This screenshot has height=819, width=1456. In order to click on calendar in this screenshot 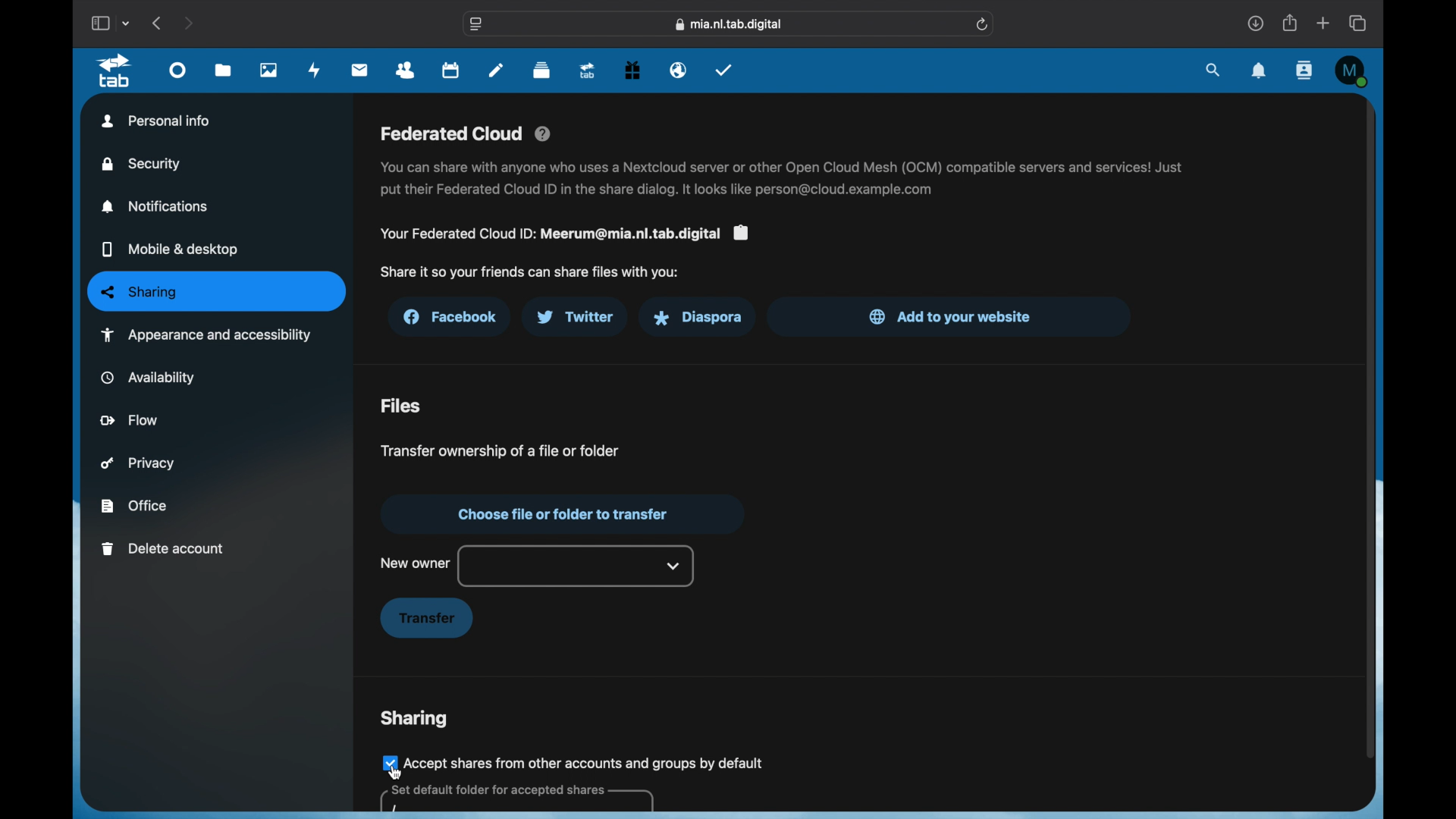, I will do `click(452, 71)`.